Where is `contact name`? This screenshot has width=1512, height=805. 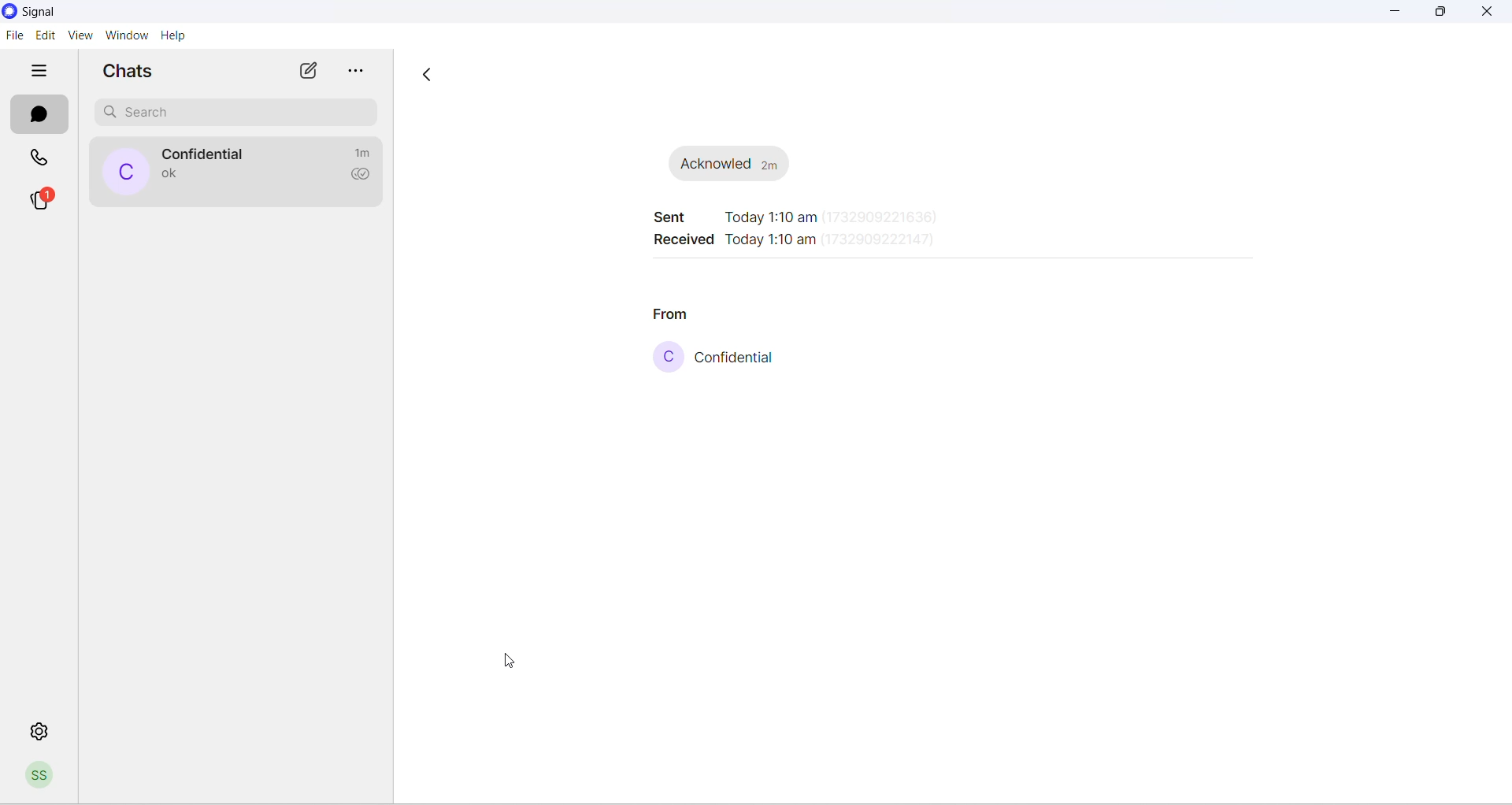
contact name is located at coordinates (207, 154).